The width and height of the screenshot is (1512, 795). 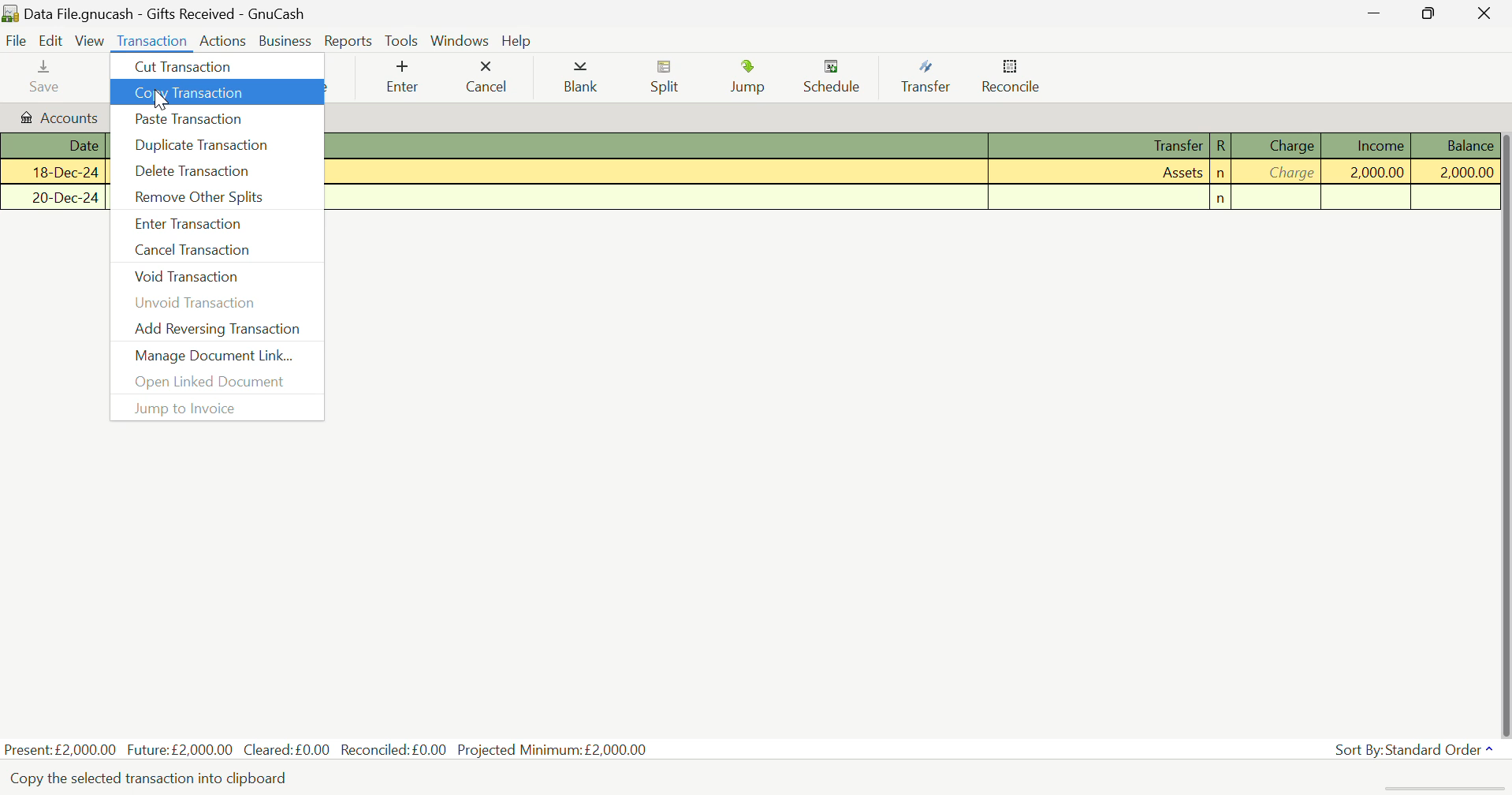 What do you see at coordinates (516, 39) in the screenshot?
I see `Help` at bounding box center [516, 39].